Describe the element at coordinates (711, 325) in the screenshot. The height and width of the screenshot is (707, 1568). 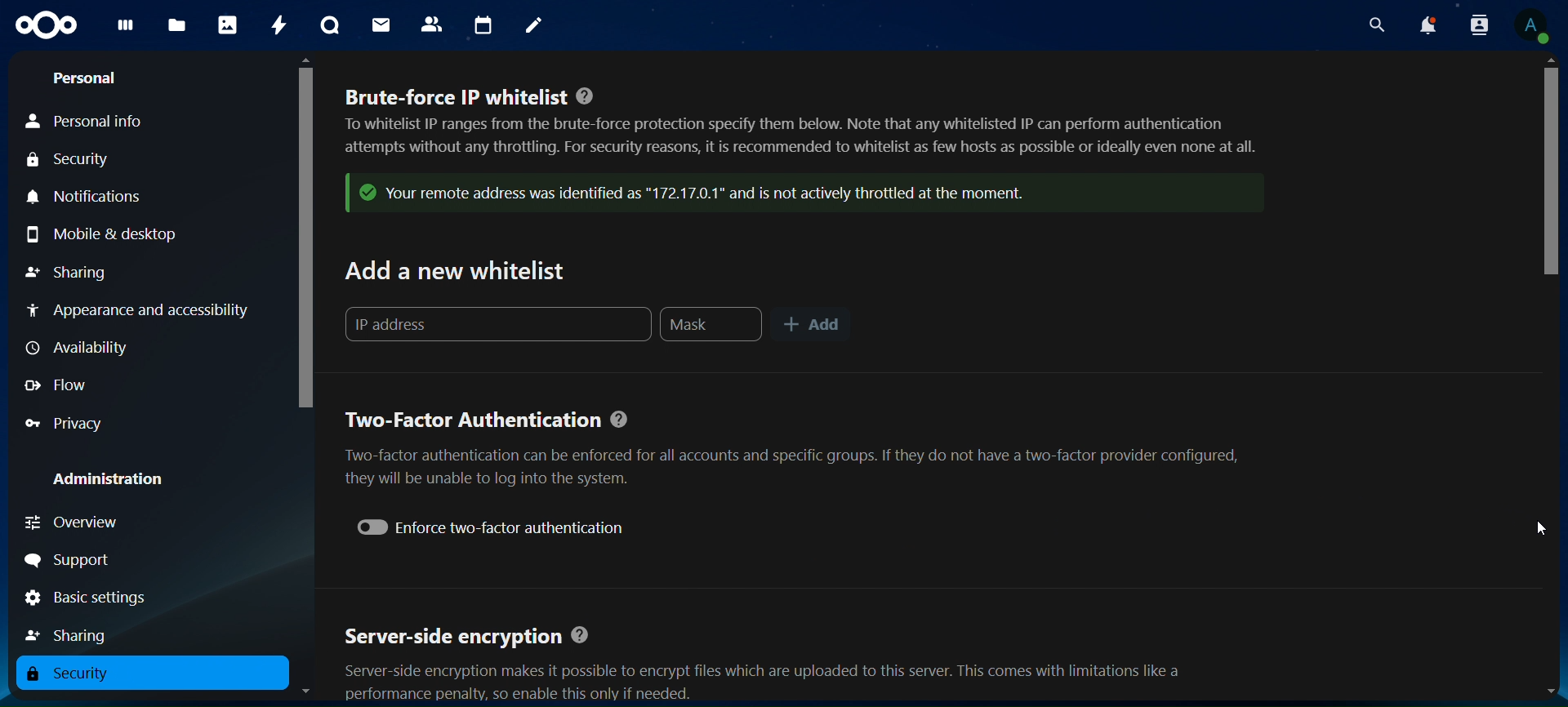
I see `mask` at that location.